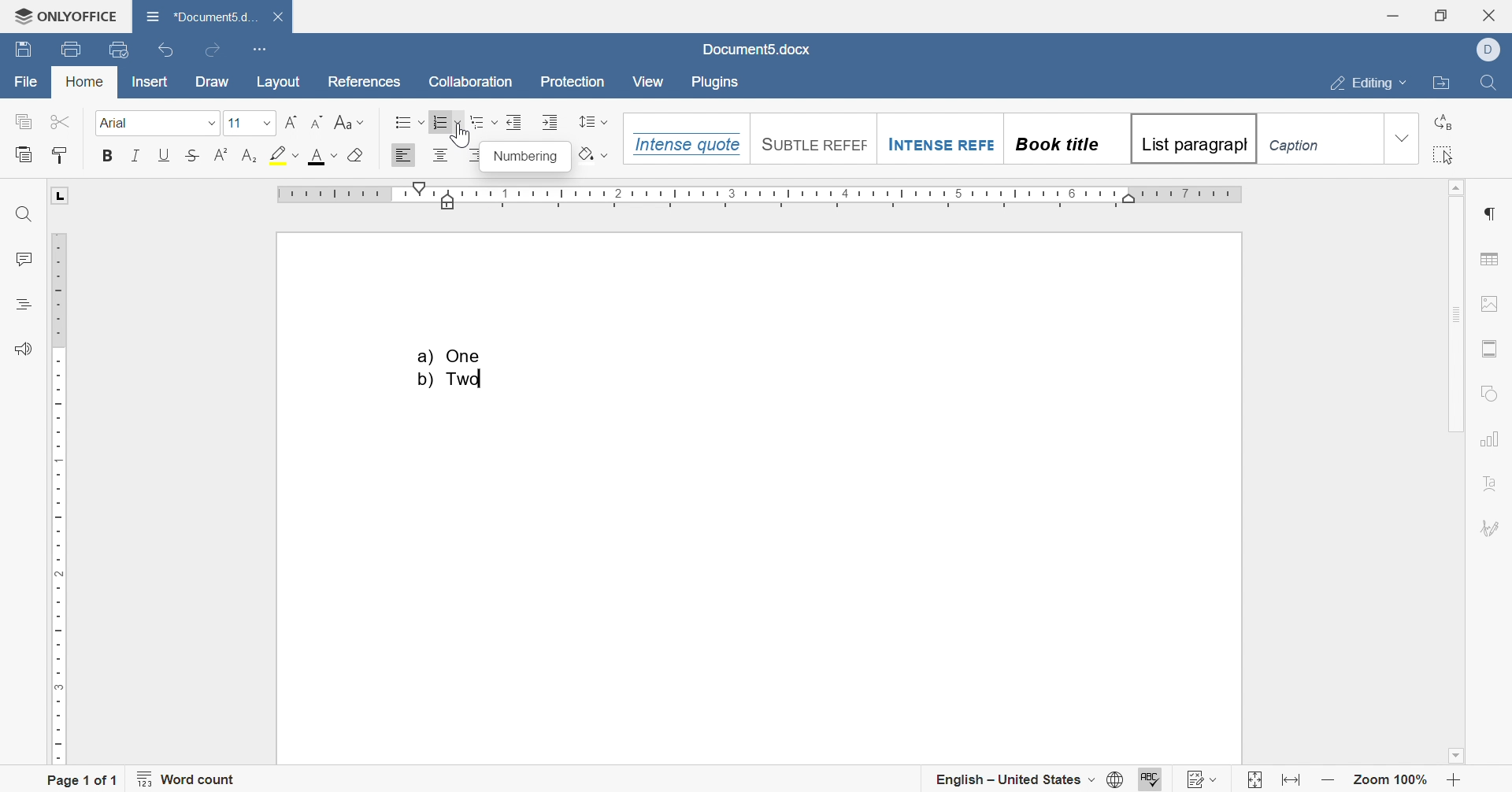 The image size is (1512, 792). Describe the element at coordinates (1392, 779) in the screenshot. I see `zoom 100%` at that location.